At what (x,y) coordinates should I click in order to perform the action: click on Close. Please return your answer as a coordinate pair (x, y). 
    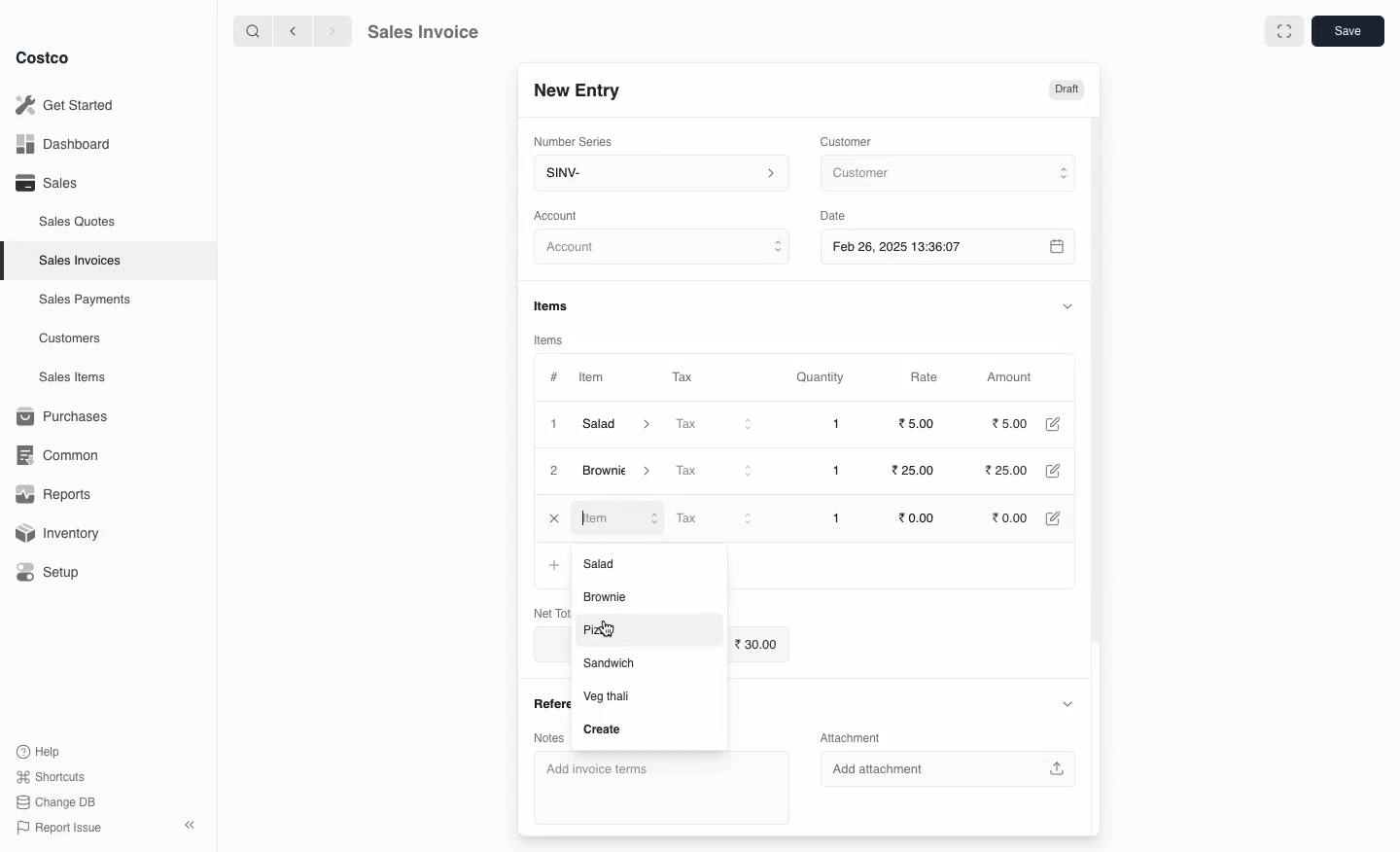
    Looking at the image, I should click on (554, 518).